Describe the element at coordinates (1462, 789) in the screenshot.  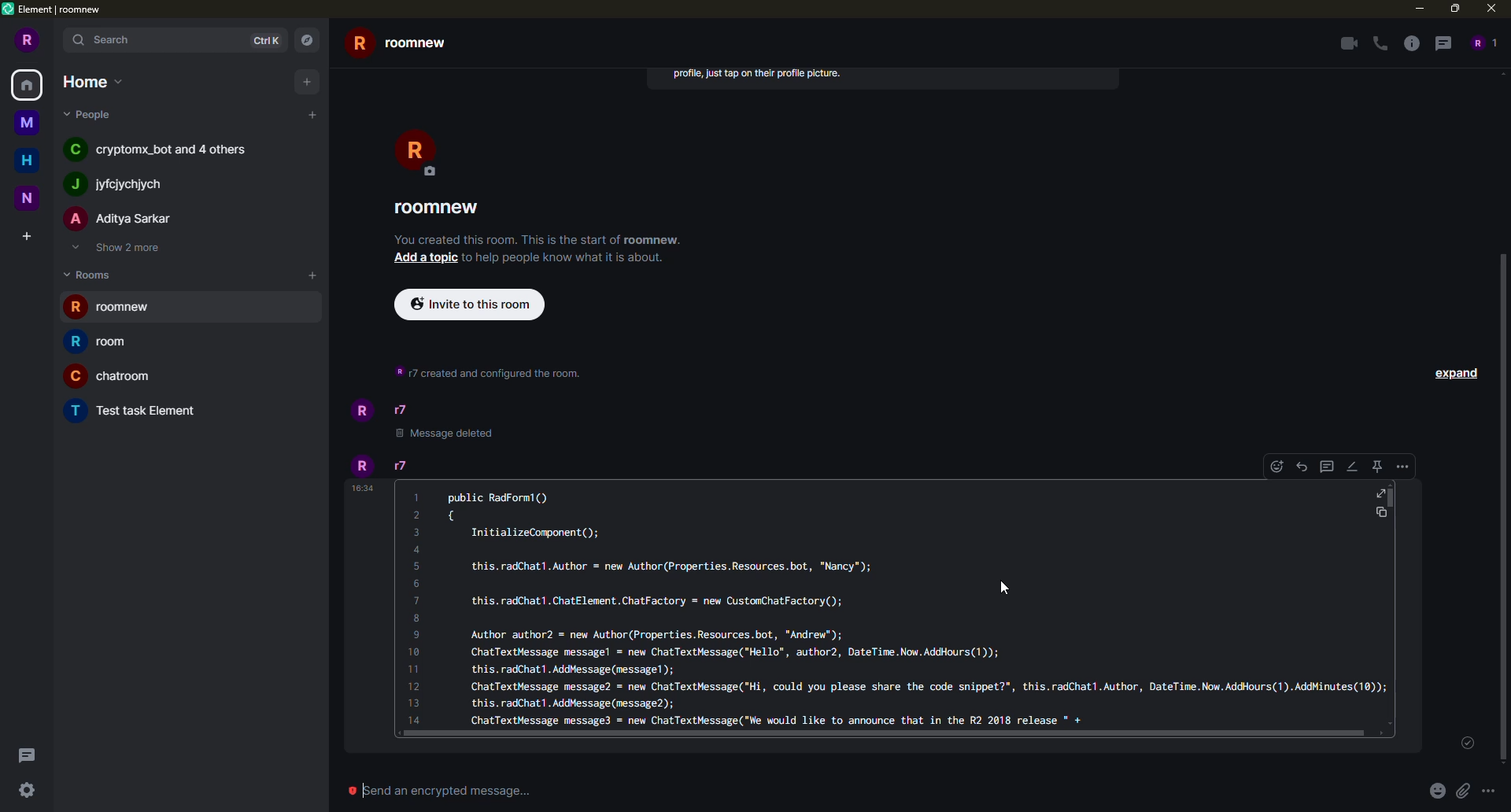
I see `attach` at that location.